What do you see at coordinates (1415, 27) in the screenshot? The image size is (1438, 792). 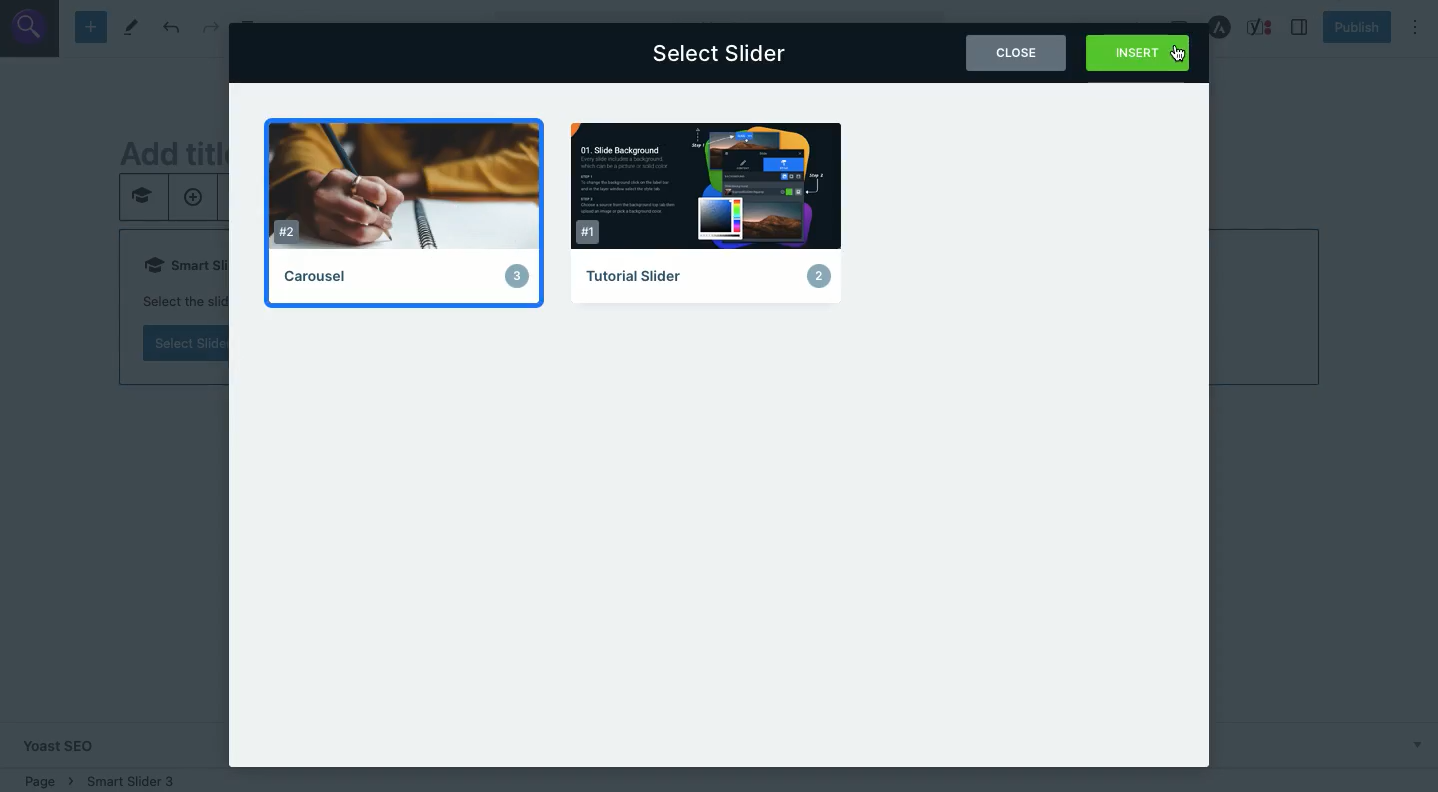 I see `Options` at bounding box center [1415, 27].